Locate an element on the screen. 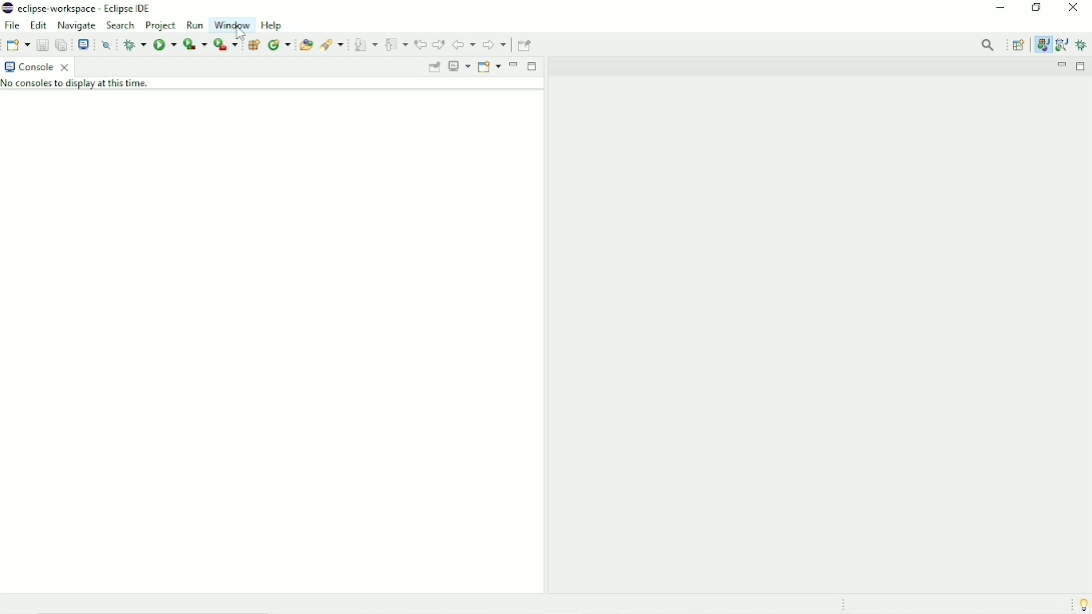 The image size is (1092, 614). eclipse-workspace - eclipse ide is located at coordinates (92, 7).